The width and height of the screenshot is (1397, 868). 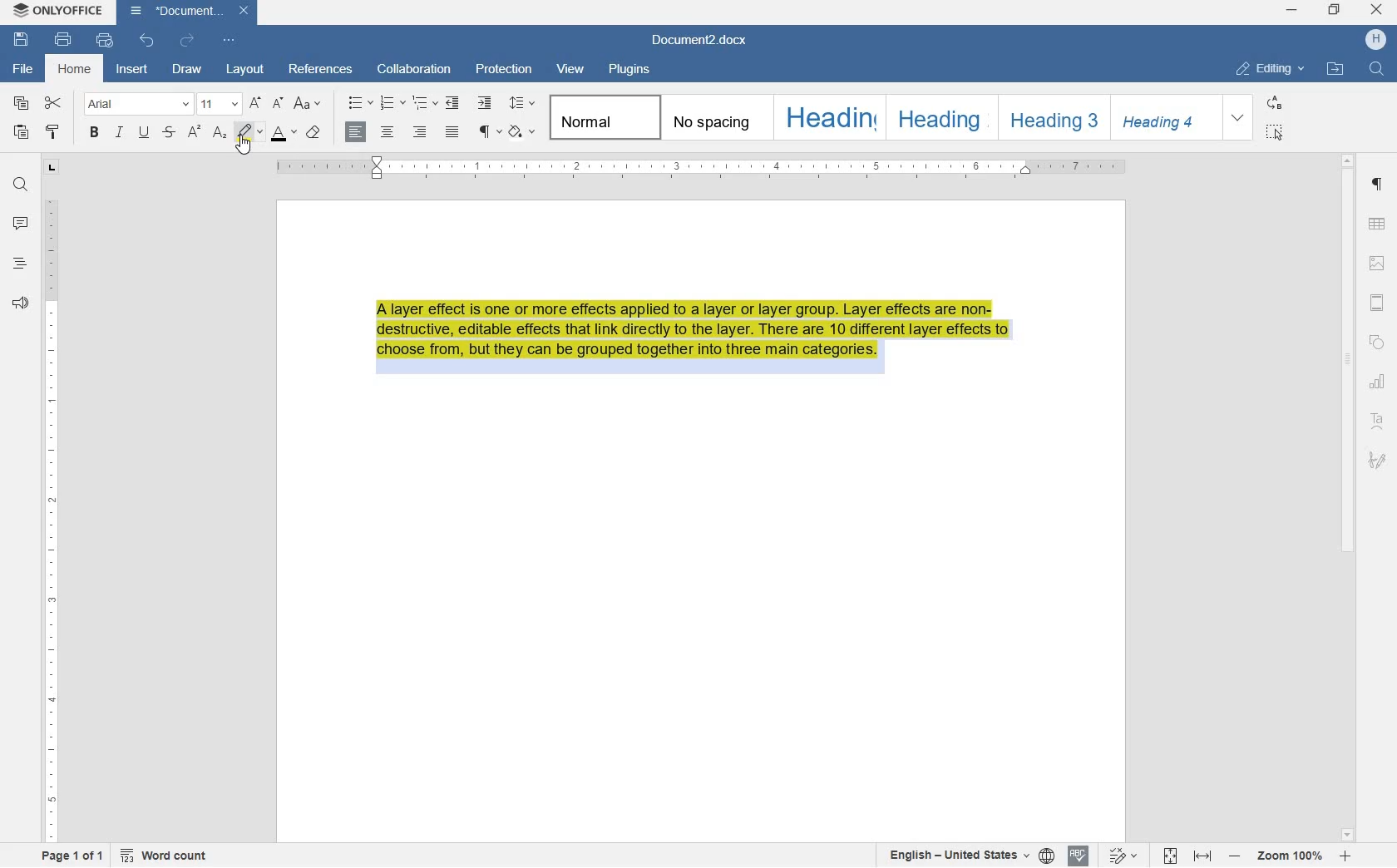 I want to click on INCREASE INDENT, so click(x=485, y=104).